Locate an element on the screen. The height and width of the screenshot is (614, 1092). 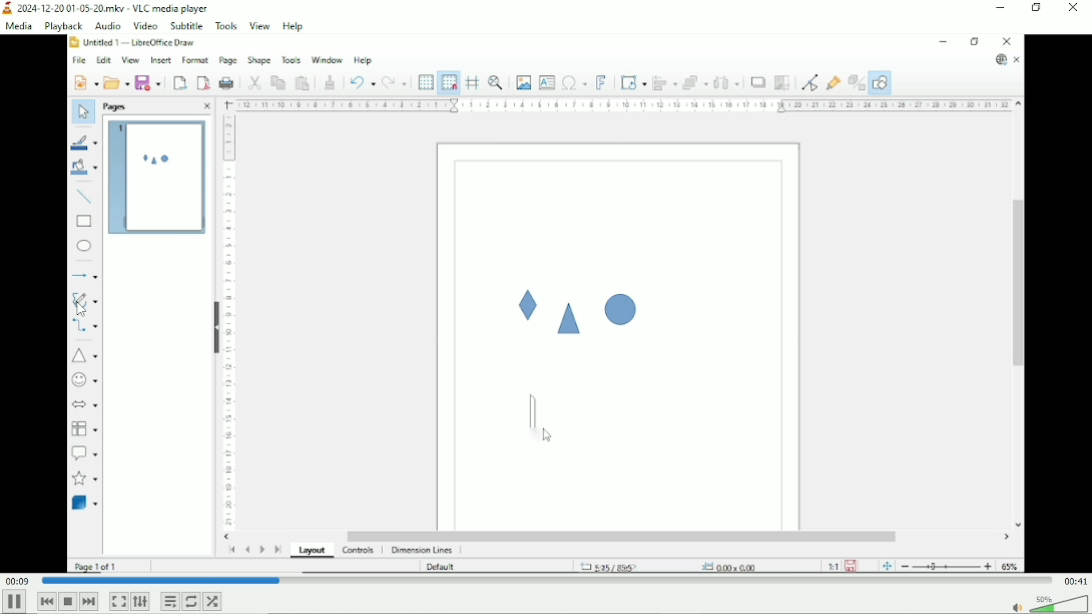
Restore down is located at coordinates (1037, 8).